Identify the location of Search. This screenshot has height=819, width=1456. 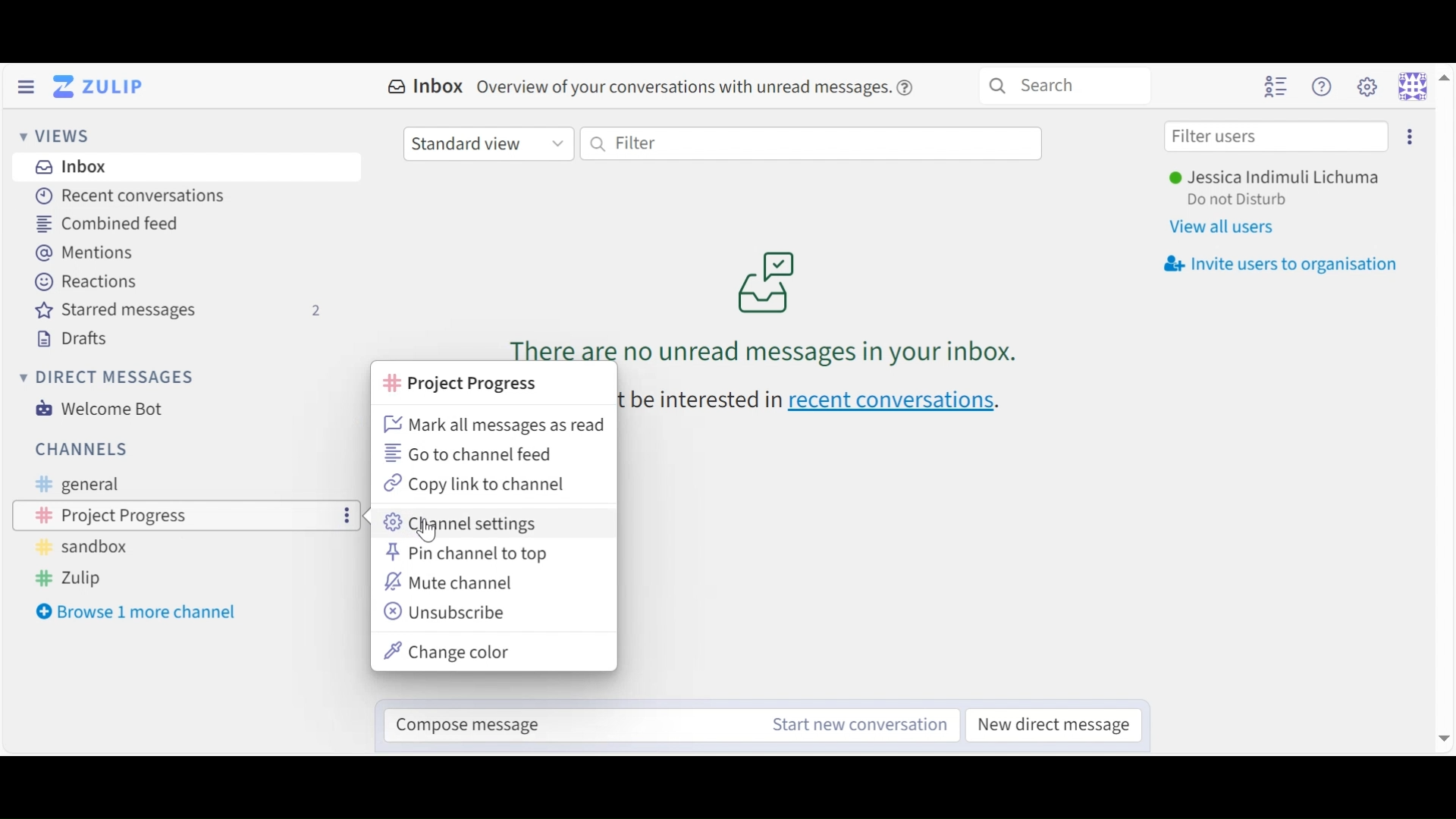
(1075, 82).